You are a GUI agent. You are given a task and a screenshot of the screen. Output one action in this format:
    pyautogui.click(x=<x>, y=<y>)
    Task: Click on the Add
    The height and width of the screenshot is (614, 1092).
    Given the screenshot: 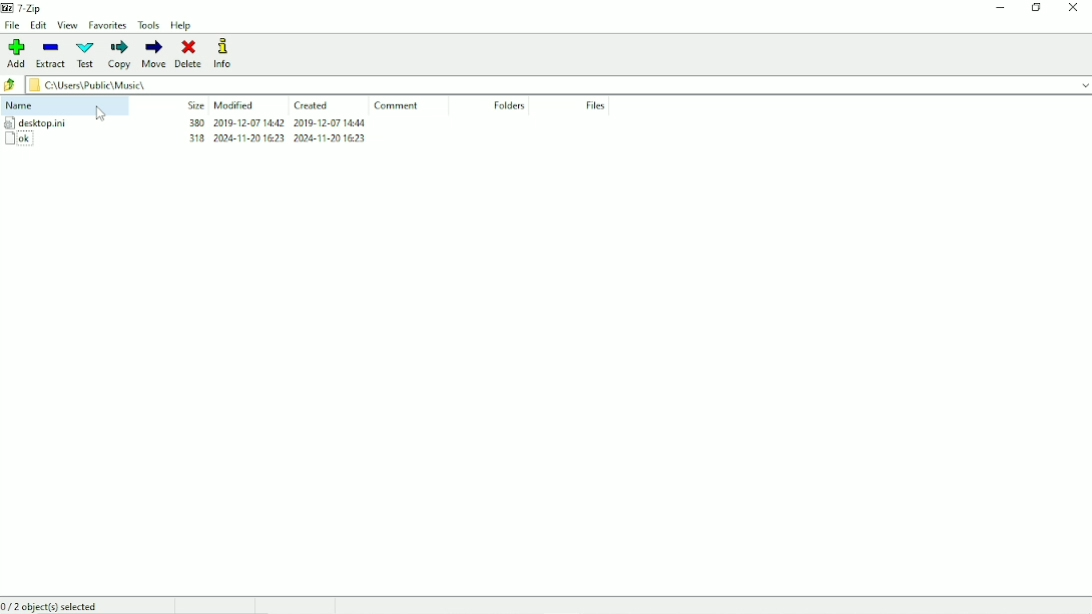 What is the action you would take?
    pyautogui.click(x=17, y=53)
    